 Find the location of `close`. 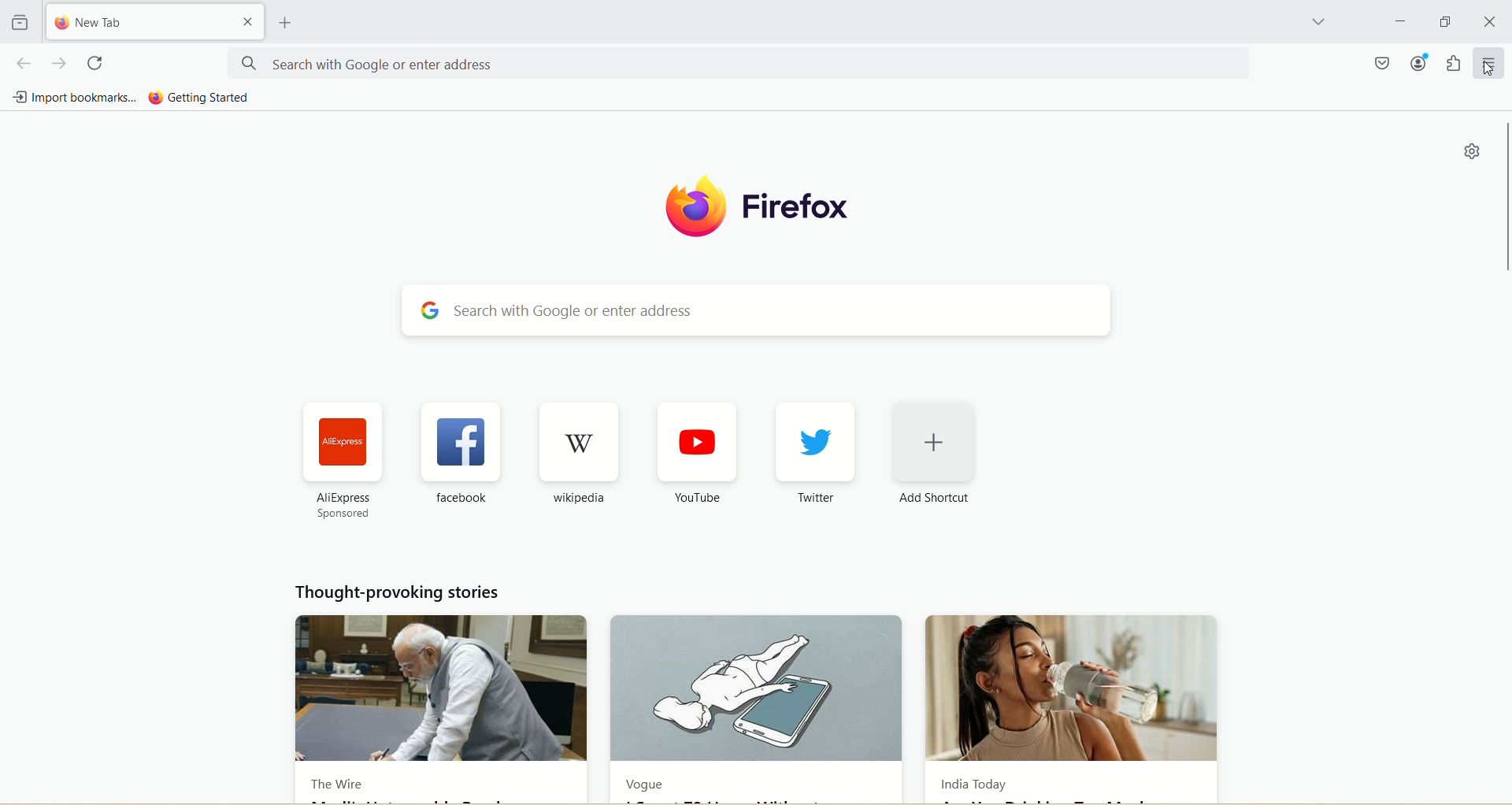

close is located at coordinates (248, 20).